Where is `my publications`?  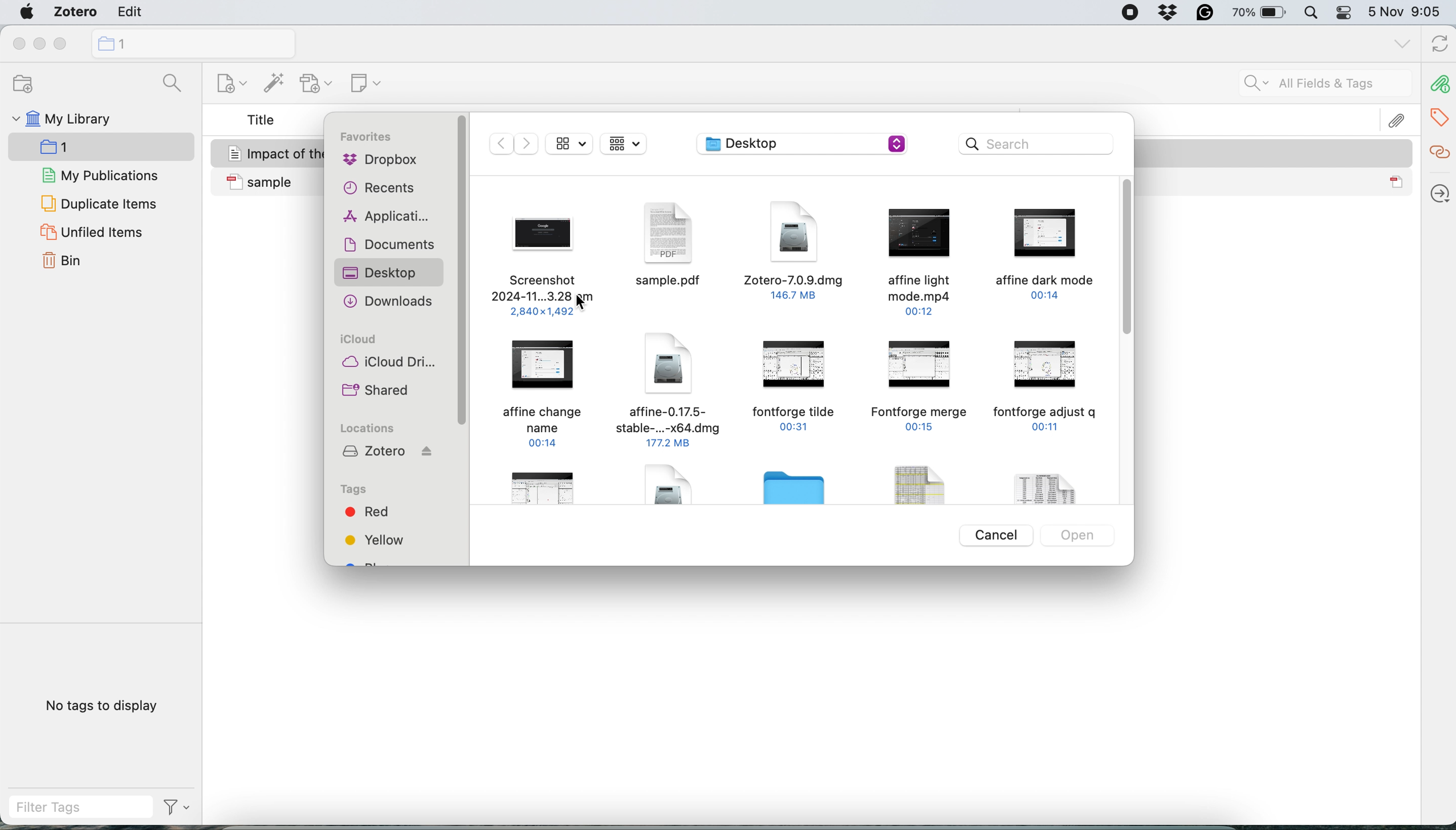 my publications is located at coordinates (101, 177).